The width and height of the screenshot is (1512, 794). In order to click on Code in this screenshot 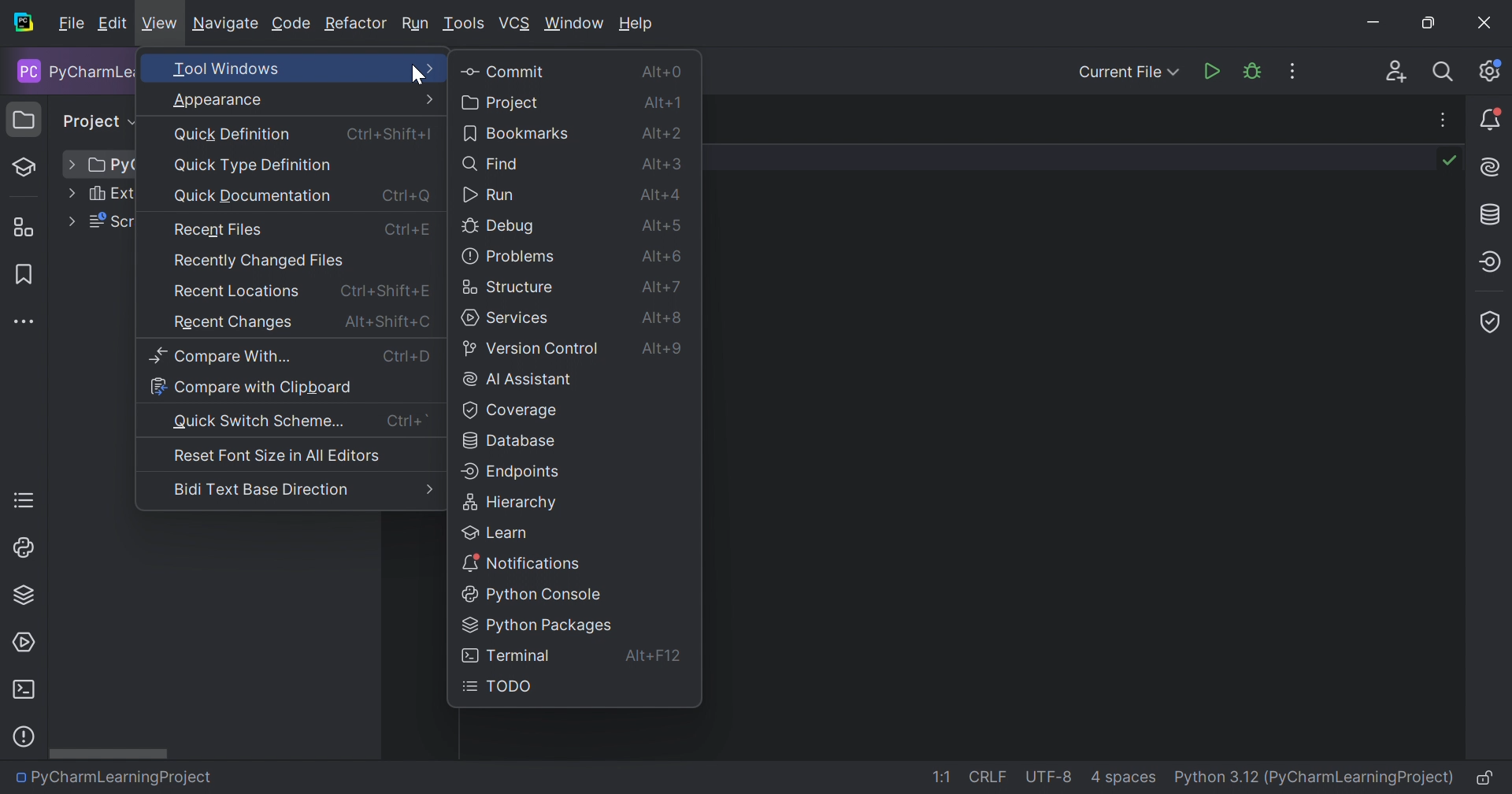, I will do `click(291, 24)`.